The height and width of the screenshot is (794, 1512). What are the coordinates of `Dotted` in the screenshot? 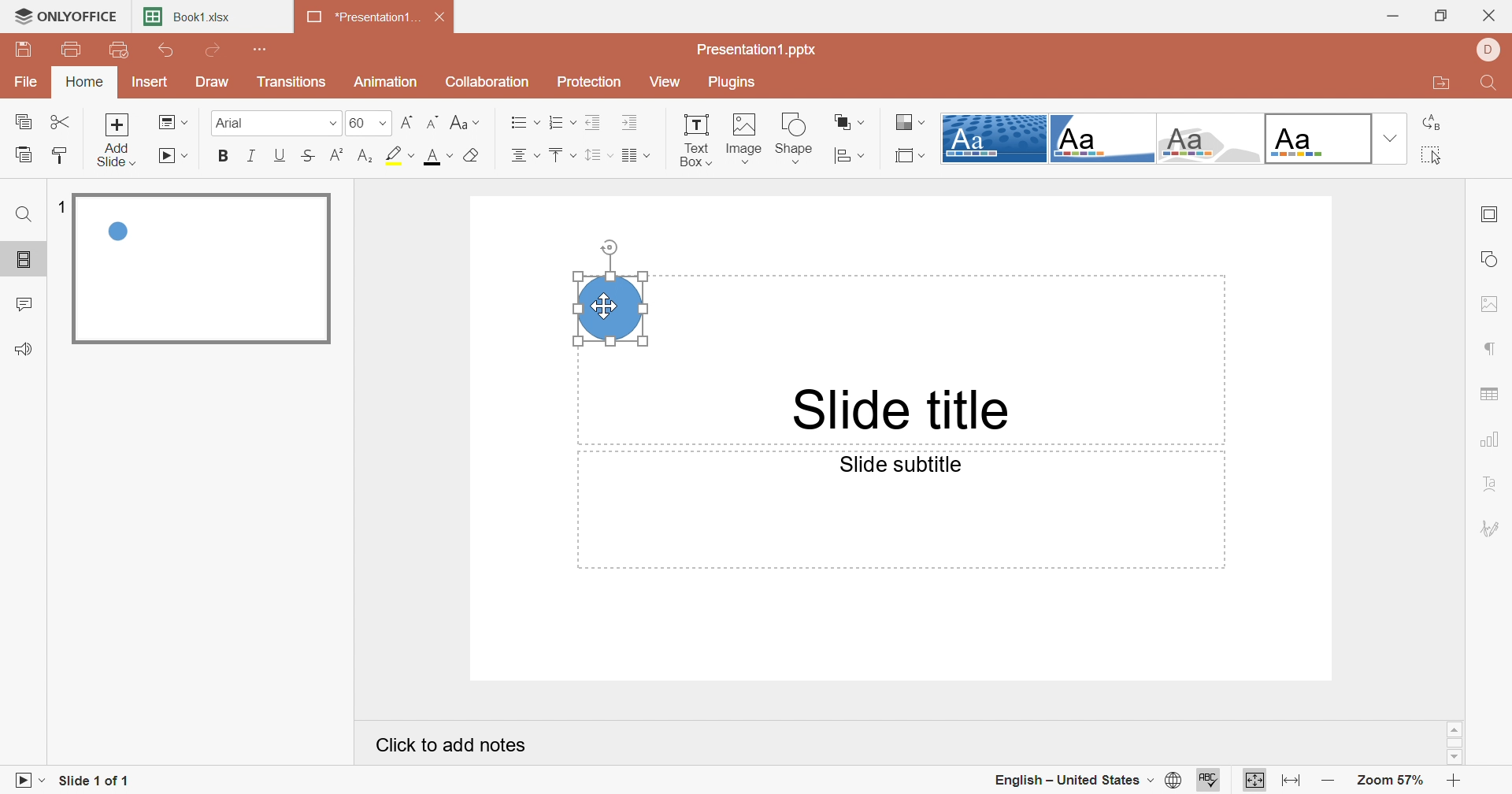 It's located at (993, 139).